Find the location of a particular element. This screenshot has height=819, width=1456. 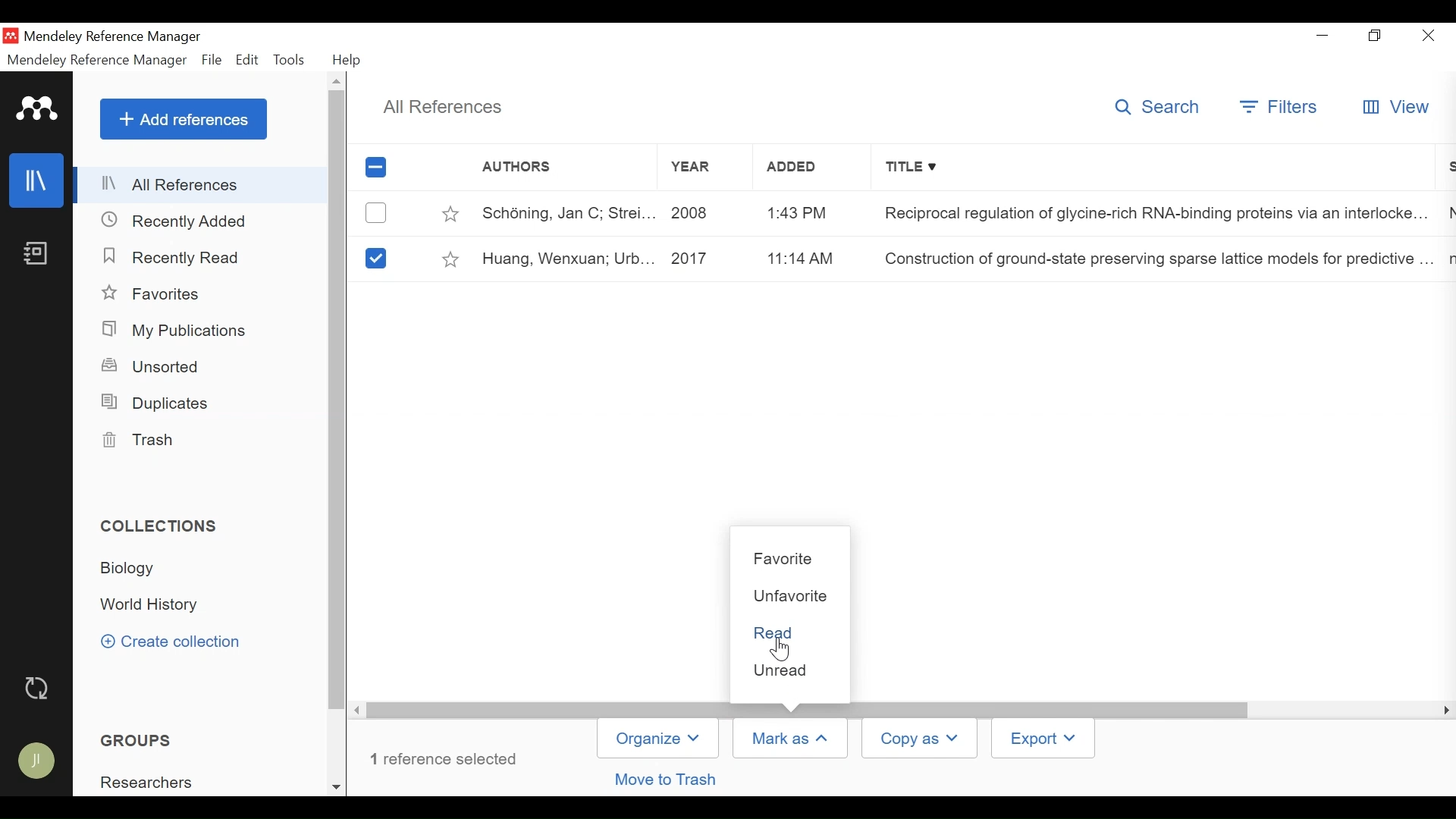

Reciprocal regulation of glycine-rich RNA-binding proteins via an interlocke... is located at coordinates (1153, 216).